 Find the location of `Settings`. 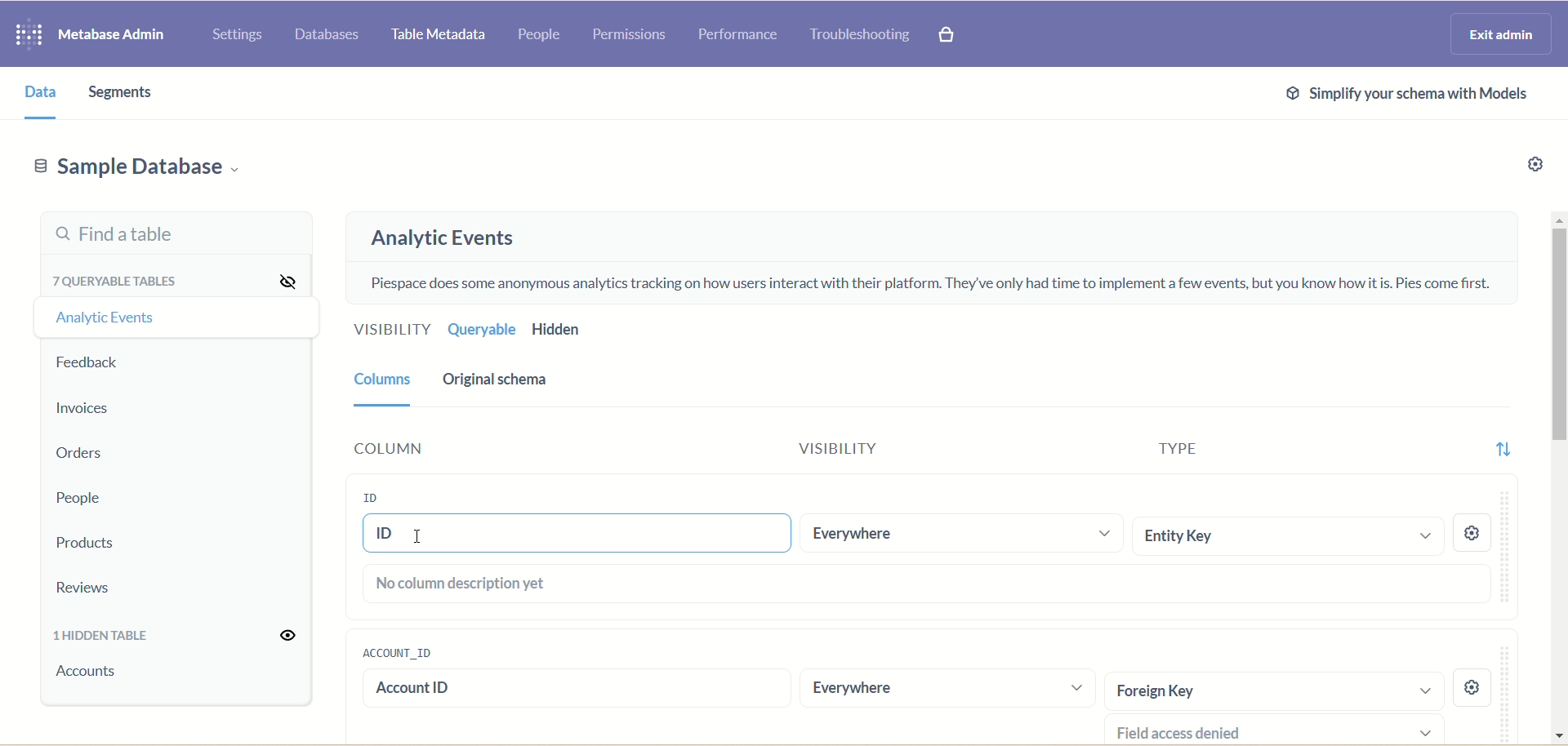

Settings is located at coordinates (1479, 532).